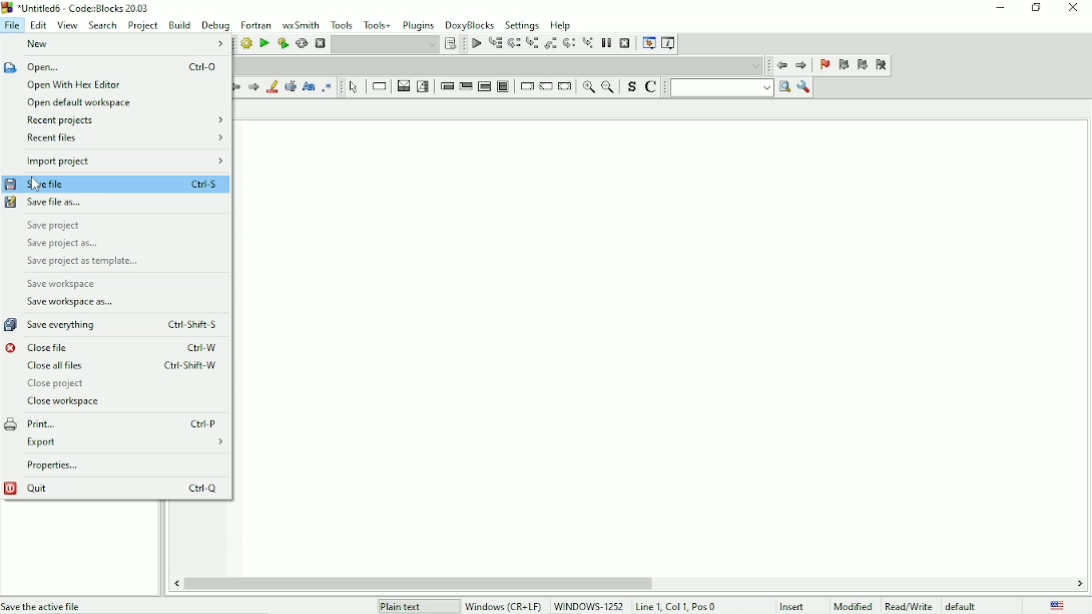  Describe the element at coordinates (246, 44) in the screenshot. I see `Build` at that location.